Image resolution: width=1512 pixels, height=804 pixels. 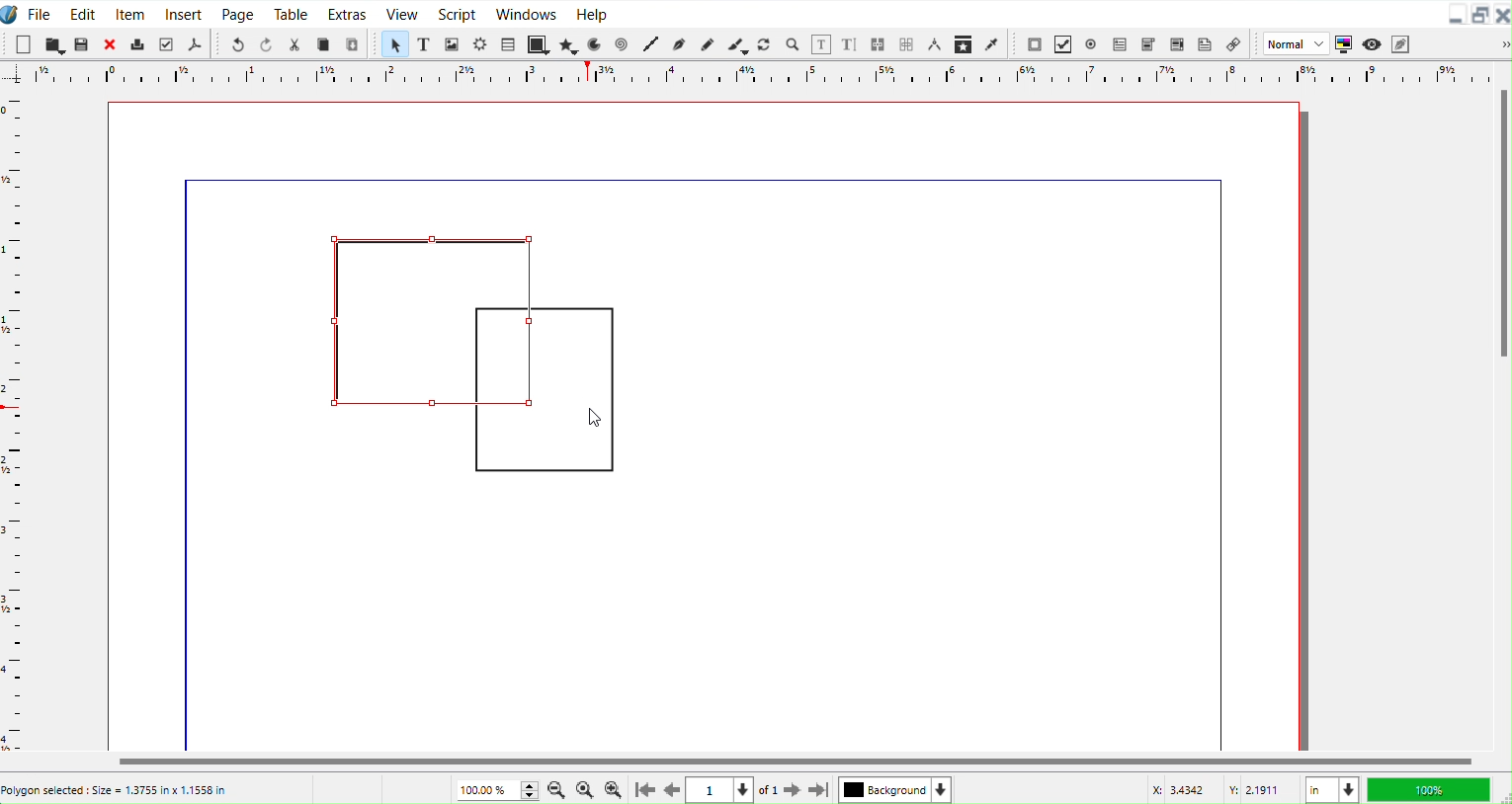 What do you see at coordinates (966, 43) in the screenshot?
I see `Copy Item Properties` at bounding box center [966, 43].